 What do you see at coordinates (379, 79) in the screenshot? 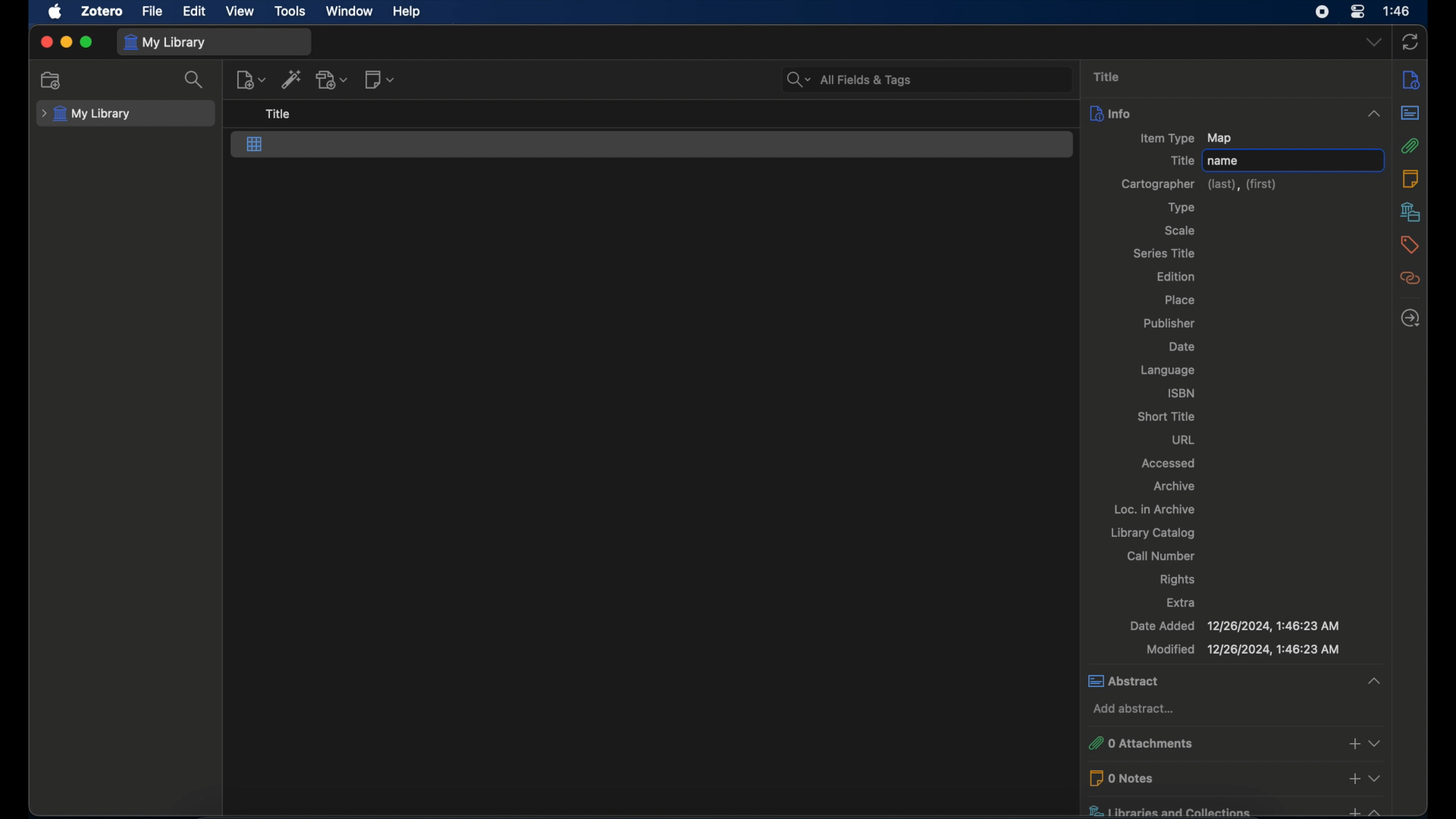
I see `new note` at bounding box center [379, 79].